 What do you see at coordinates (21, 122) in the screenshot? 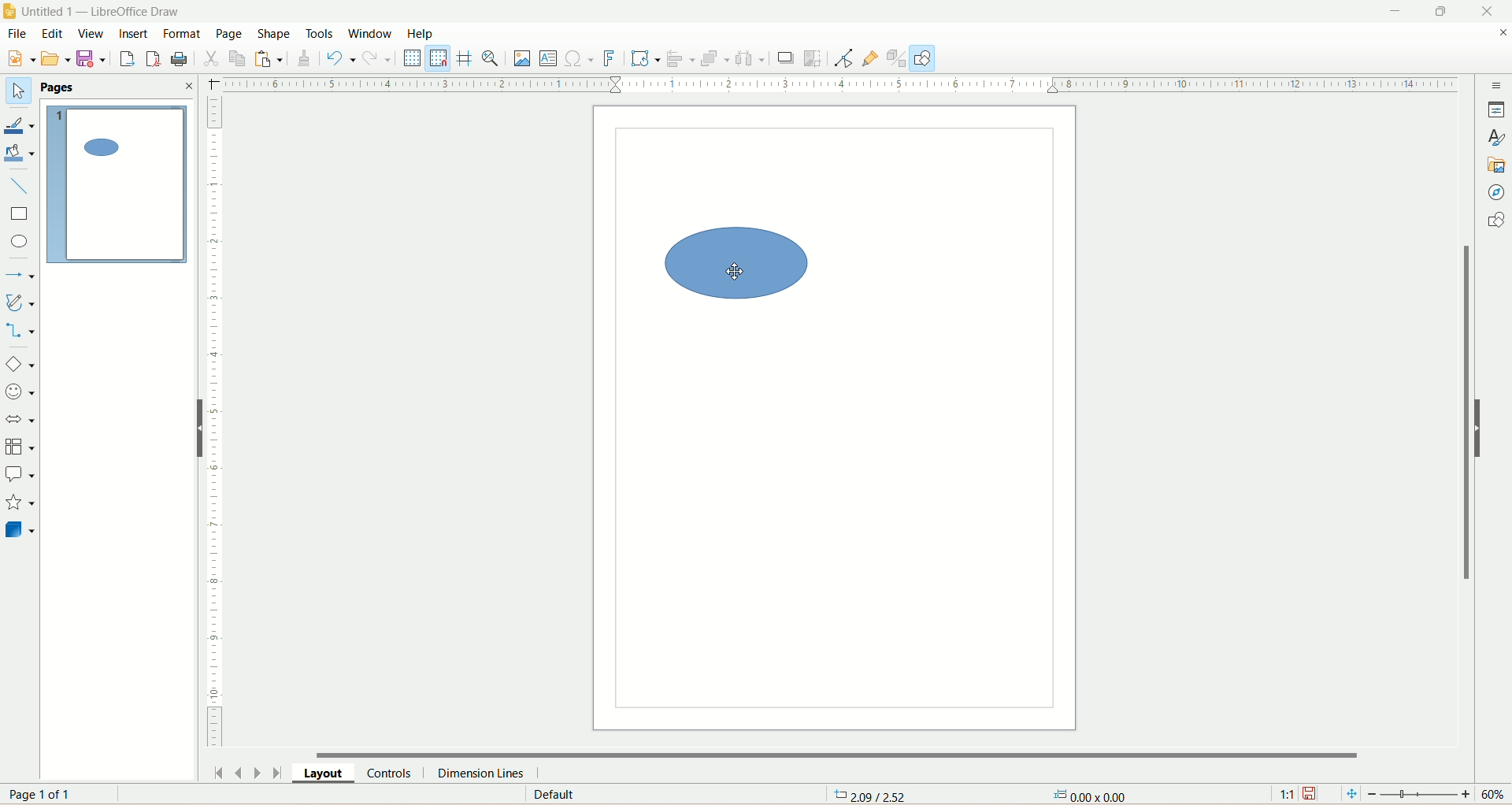
I see `line color` at bounding box center [21, 122].